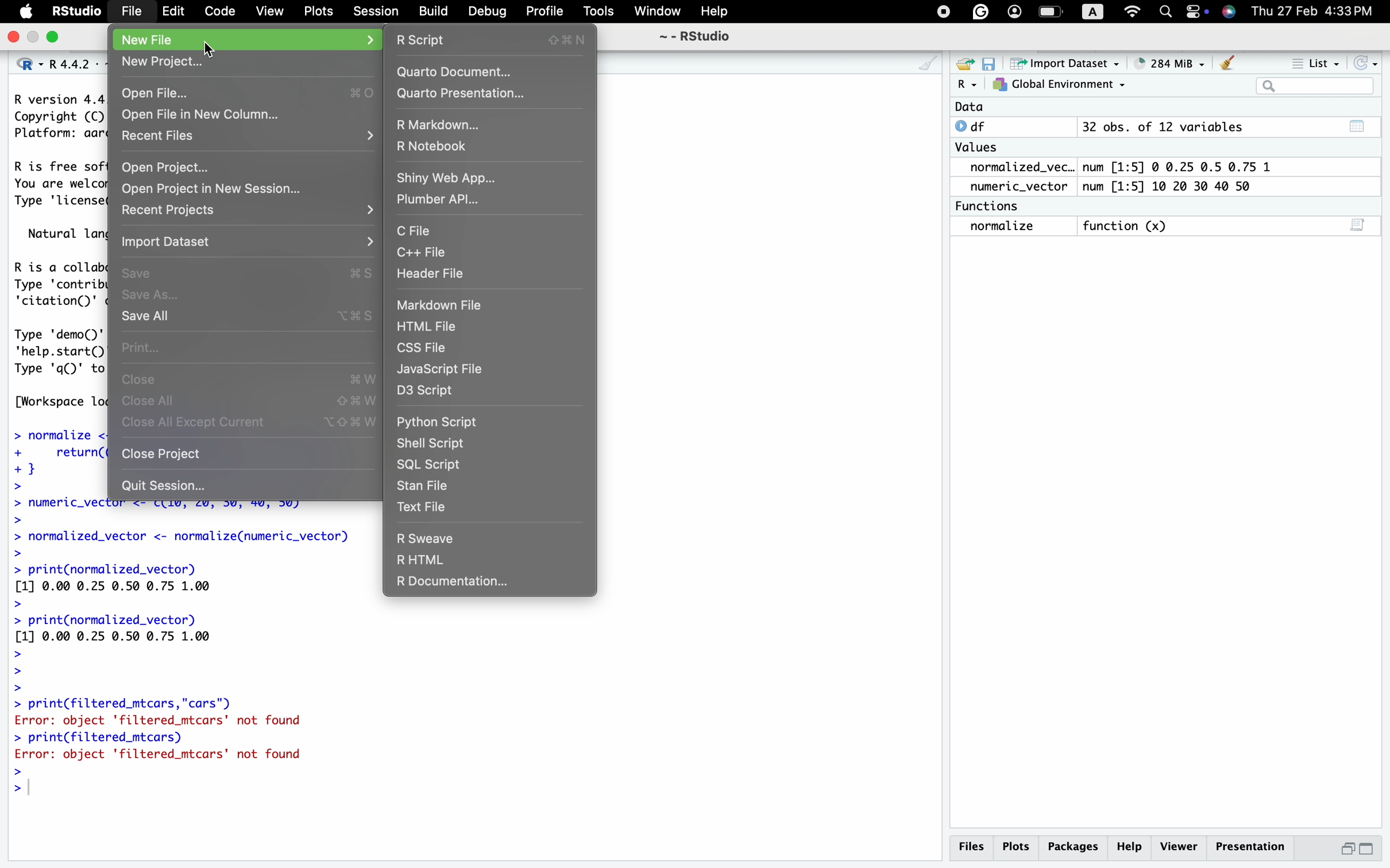  What do you see at coordinates (656, 12) in the screenshot?
I see `Window` at bounding box center [656, 12].